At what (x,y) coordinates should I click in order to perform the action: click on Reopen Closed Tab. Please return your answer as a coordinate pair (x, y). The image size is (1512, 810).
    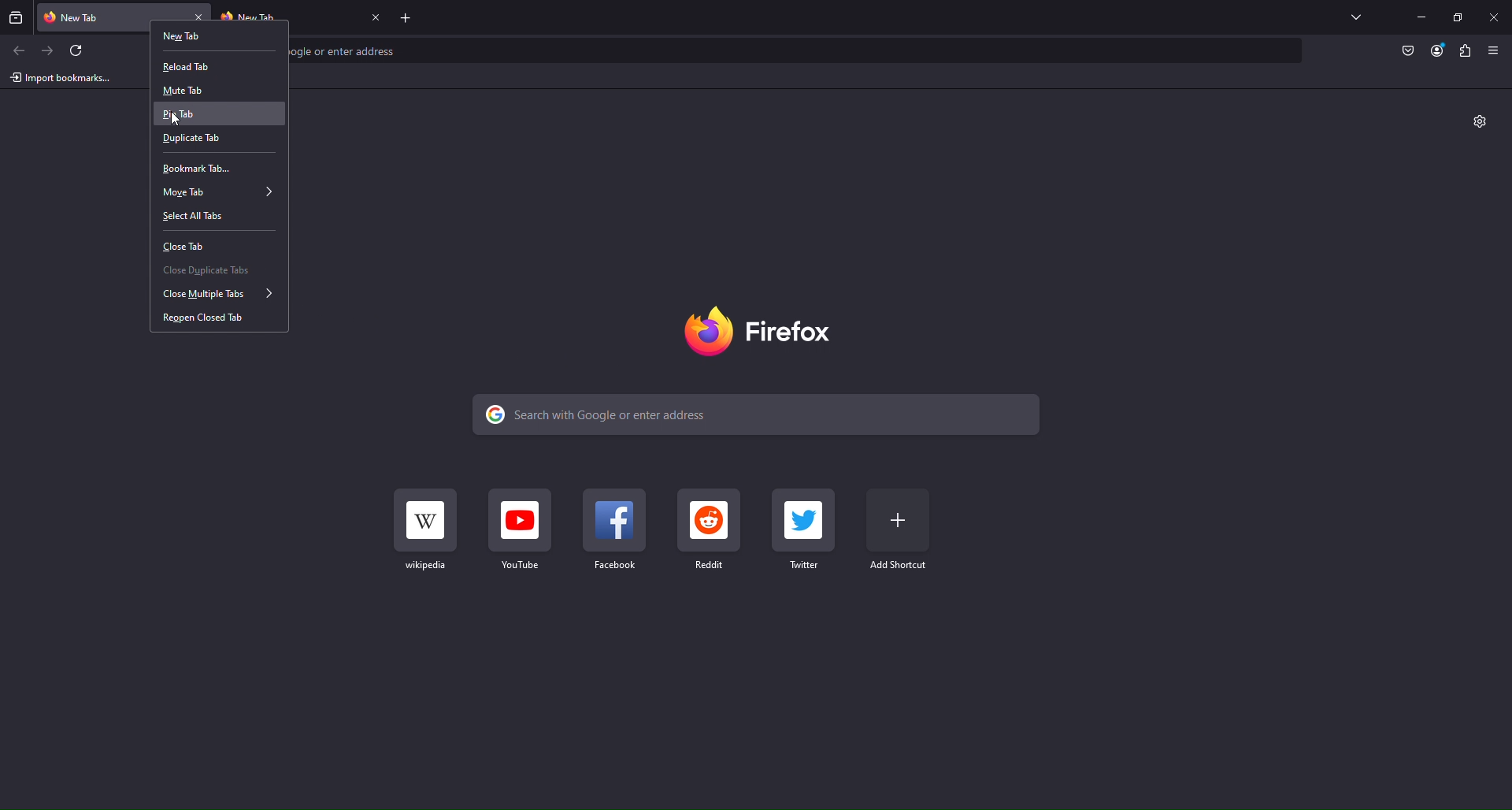
    Looking at the image, I should click on (217, 321).